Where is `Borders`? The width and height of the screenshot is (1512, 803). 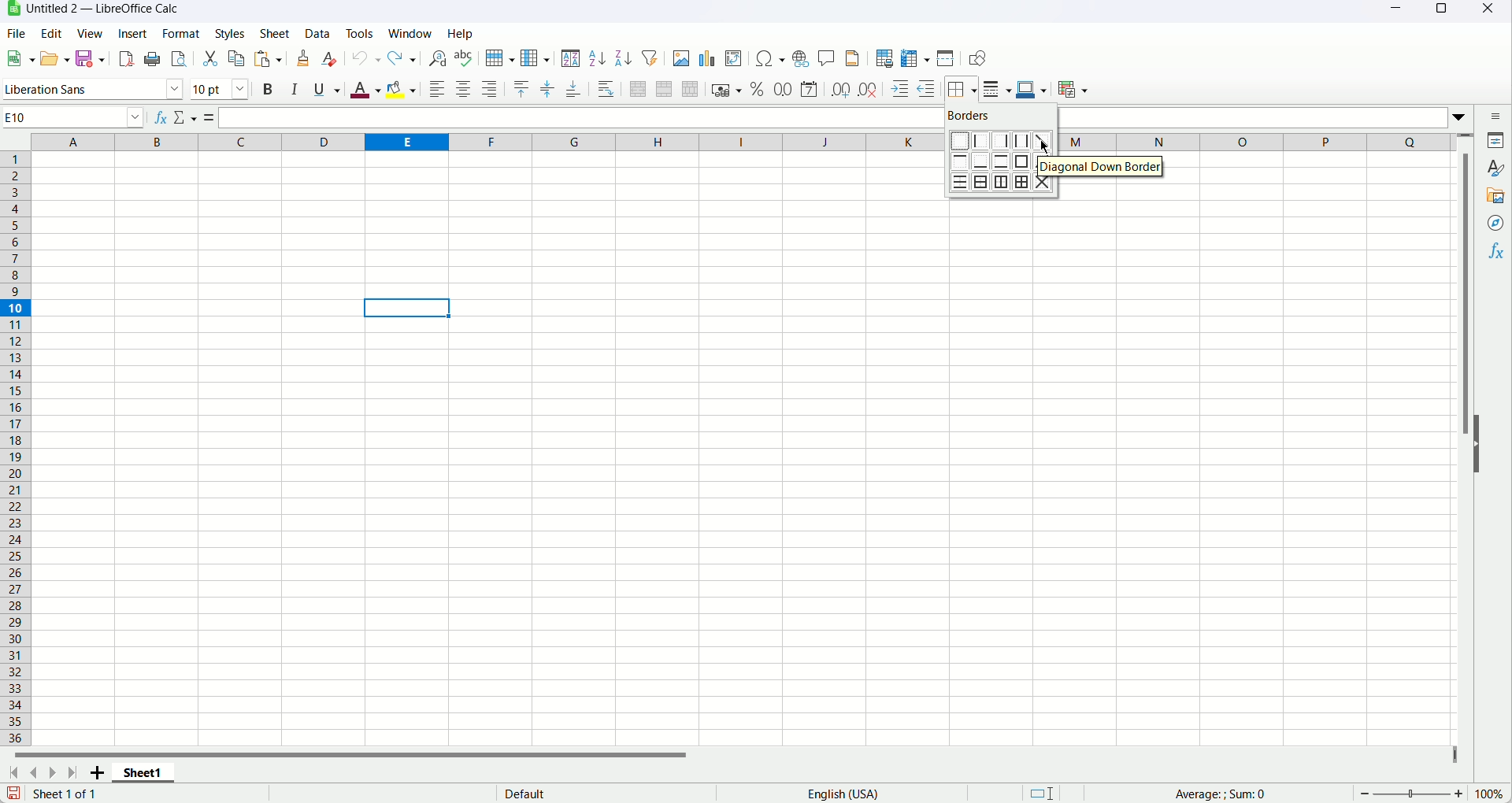
Borders is located at coordinates (973, 115).